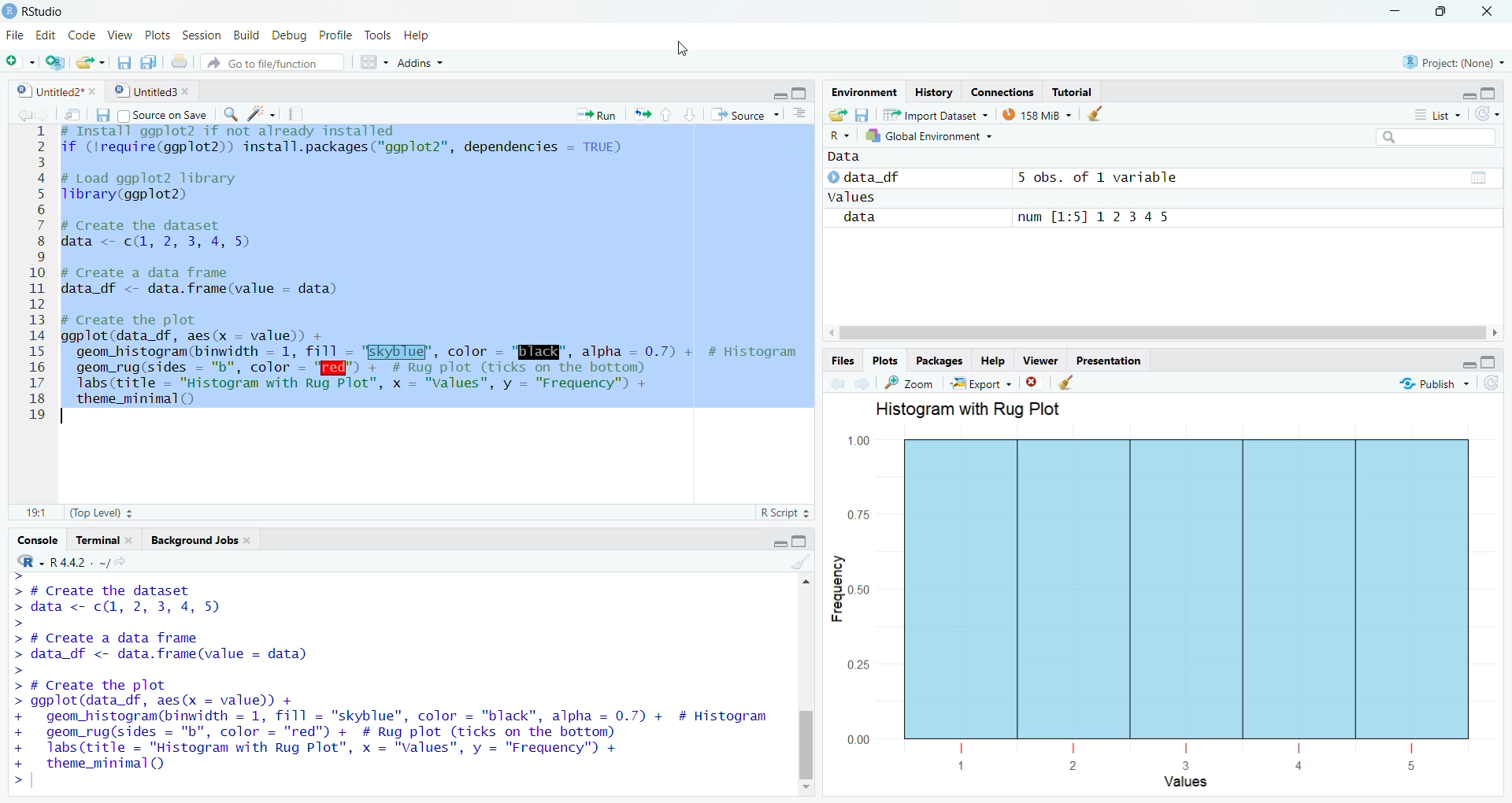 This screenshot has height=803, width=1512. I want to click on Terminal, so click(102, 542).